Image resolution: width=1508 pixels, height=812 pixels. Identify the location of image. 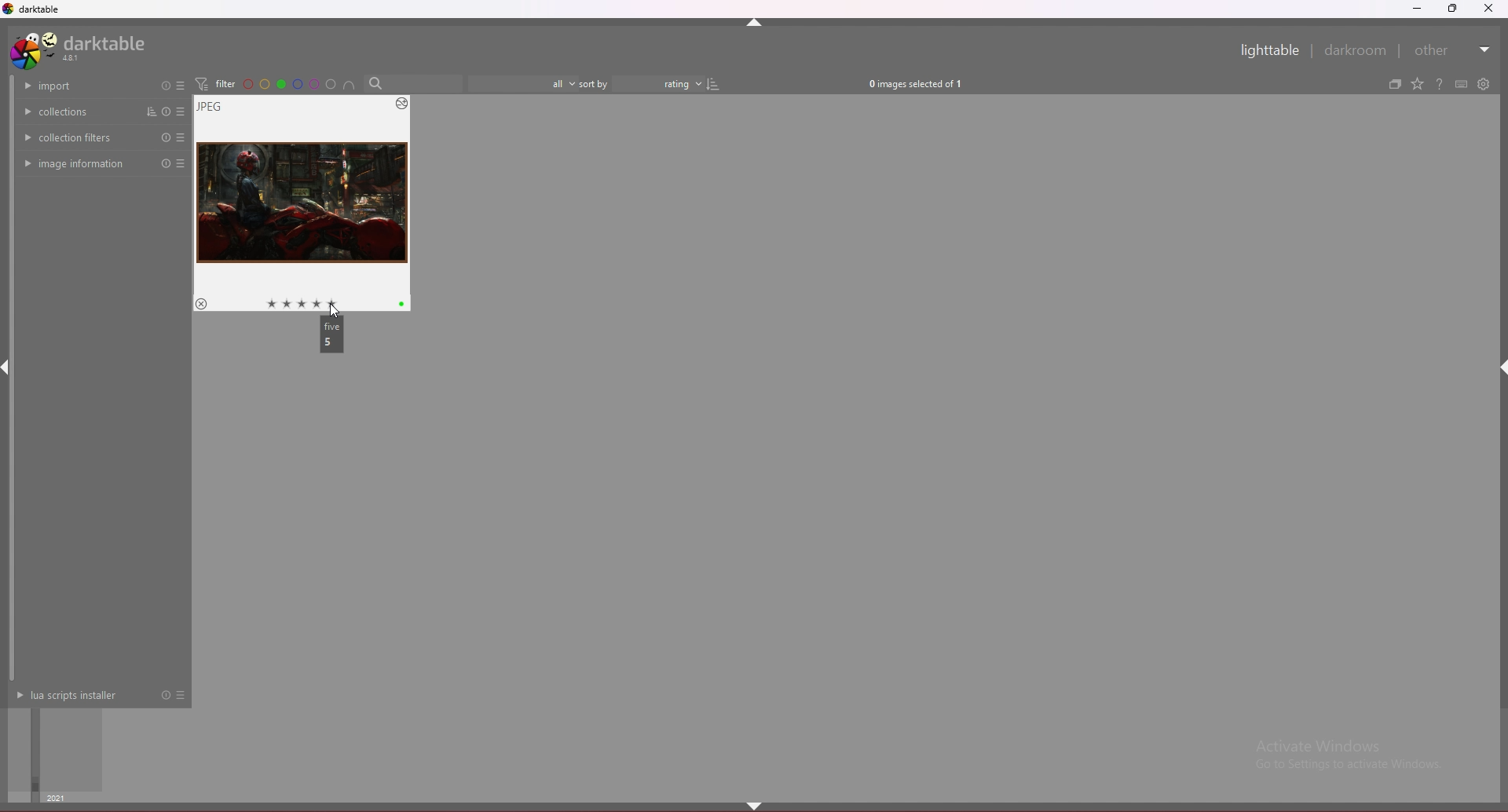
(302, 203).